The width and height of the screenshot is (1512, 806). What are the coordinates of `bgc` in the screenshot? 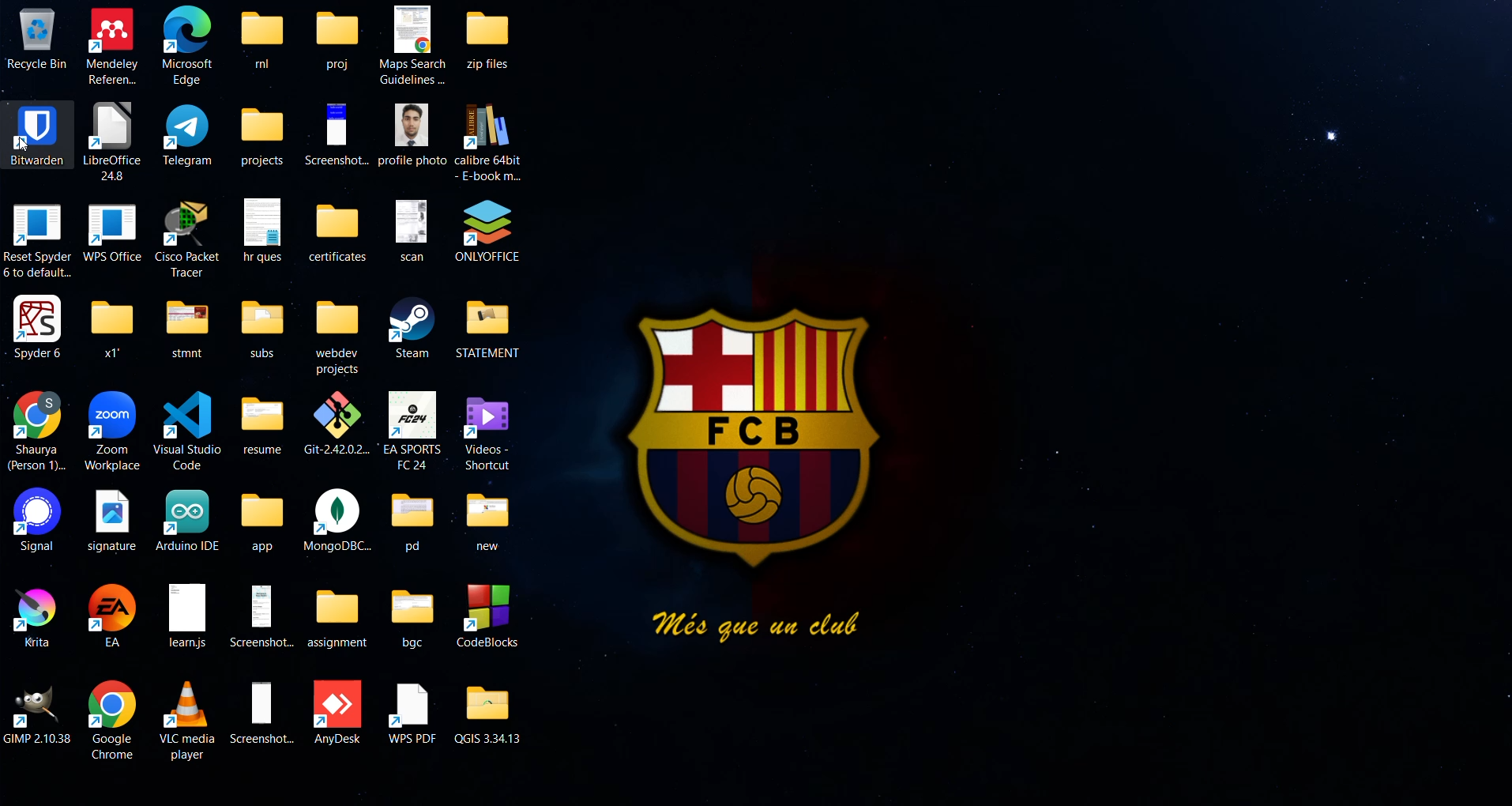 It's located at (412, 616).